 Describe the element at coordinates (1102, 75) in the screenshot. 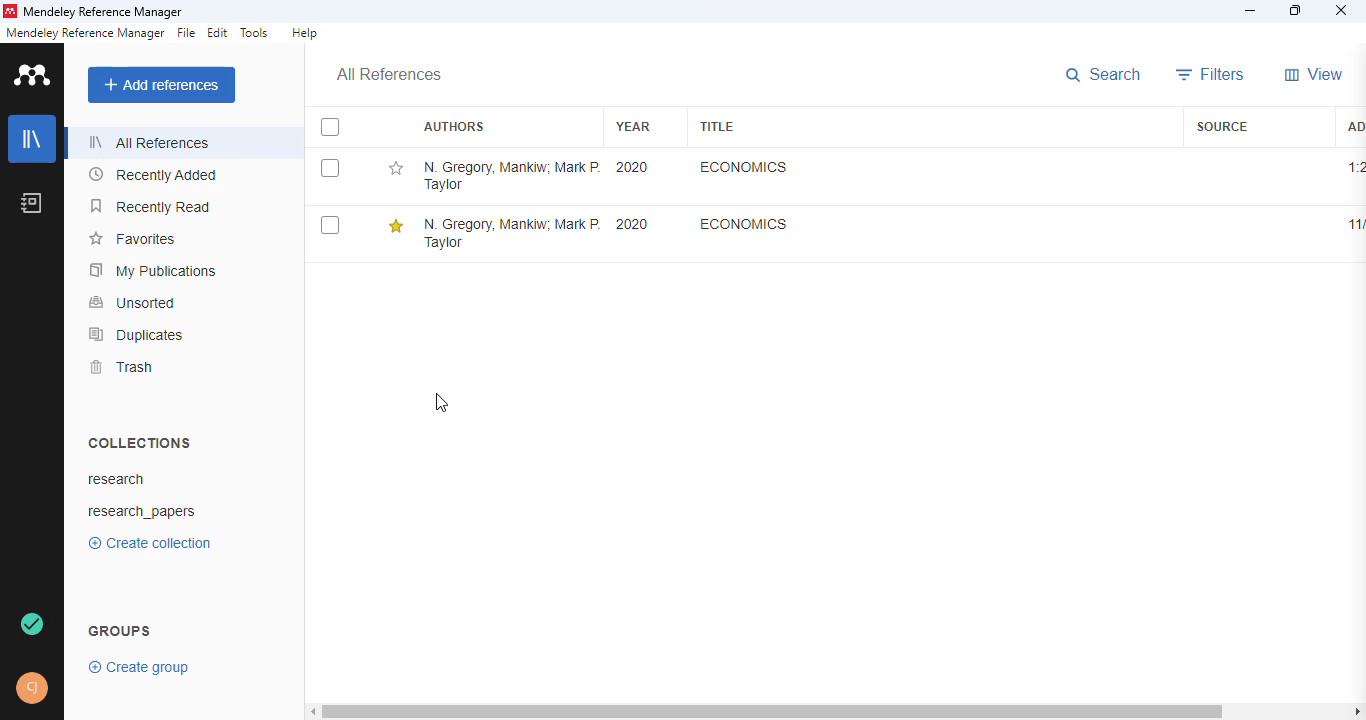

I see `search` at that location.